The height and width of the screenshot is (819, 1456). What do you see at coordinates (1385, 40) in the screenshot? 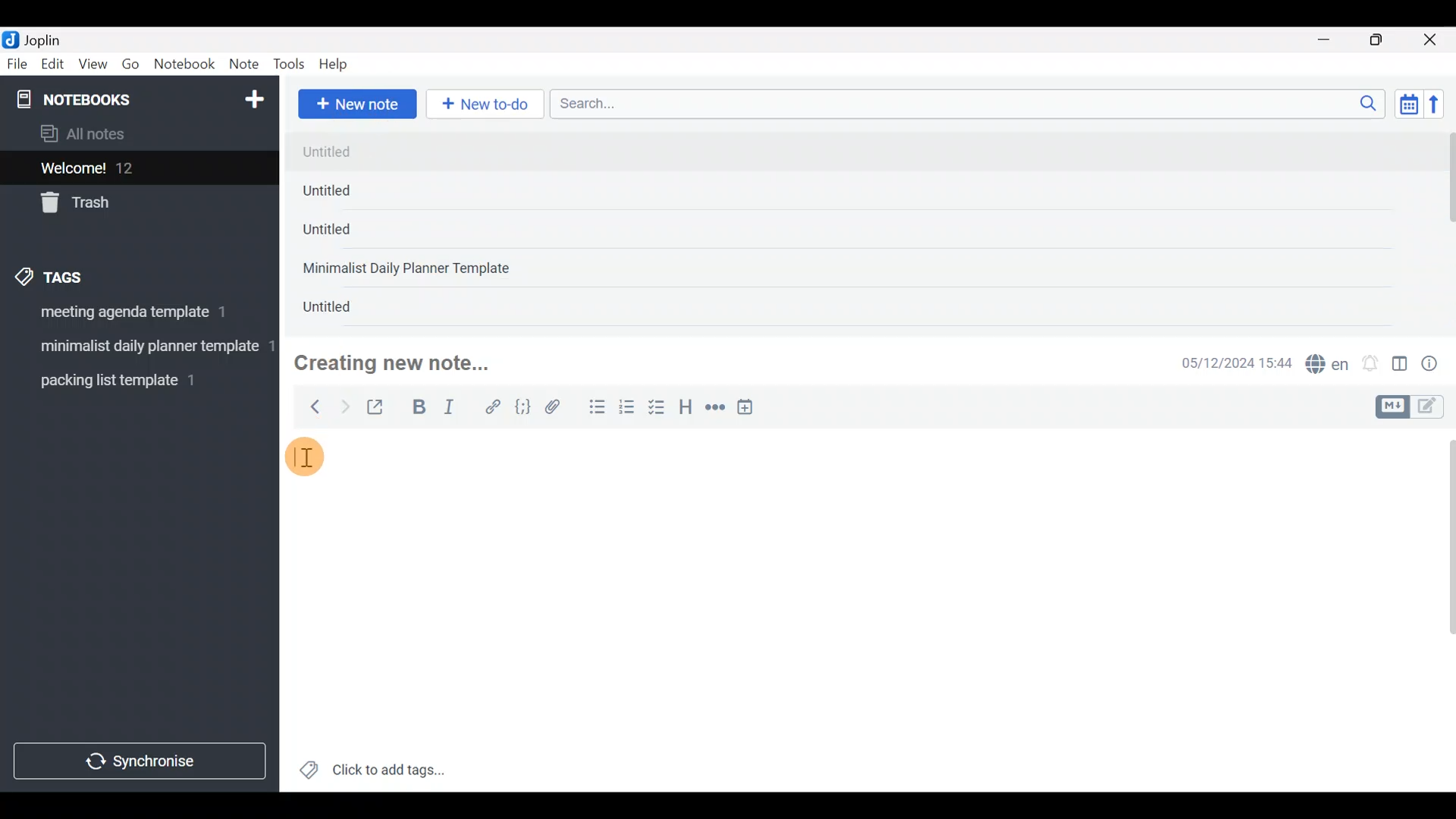
I see `Maximize` at bounding box center [1385, 40].